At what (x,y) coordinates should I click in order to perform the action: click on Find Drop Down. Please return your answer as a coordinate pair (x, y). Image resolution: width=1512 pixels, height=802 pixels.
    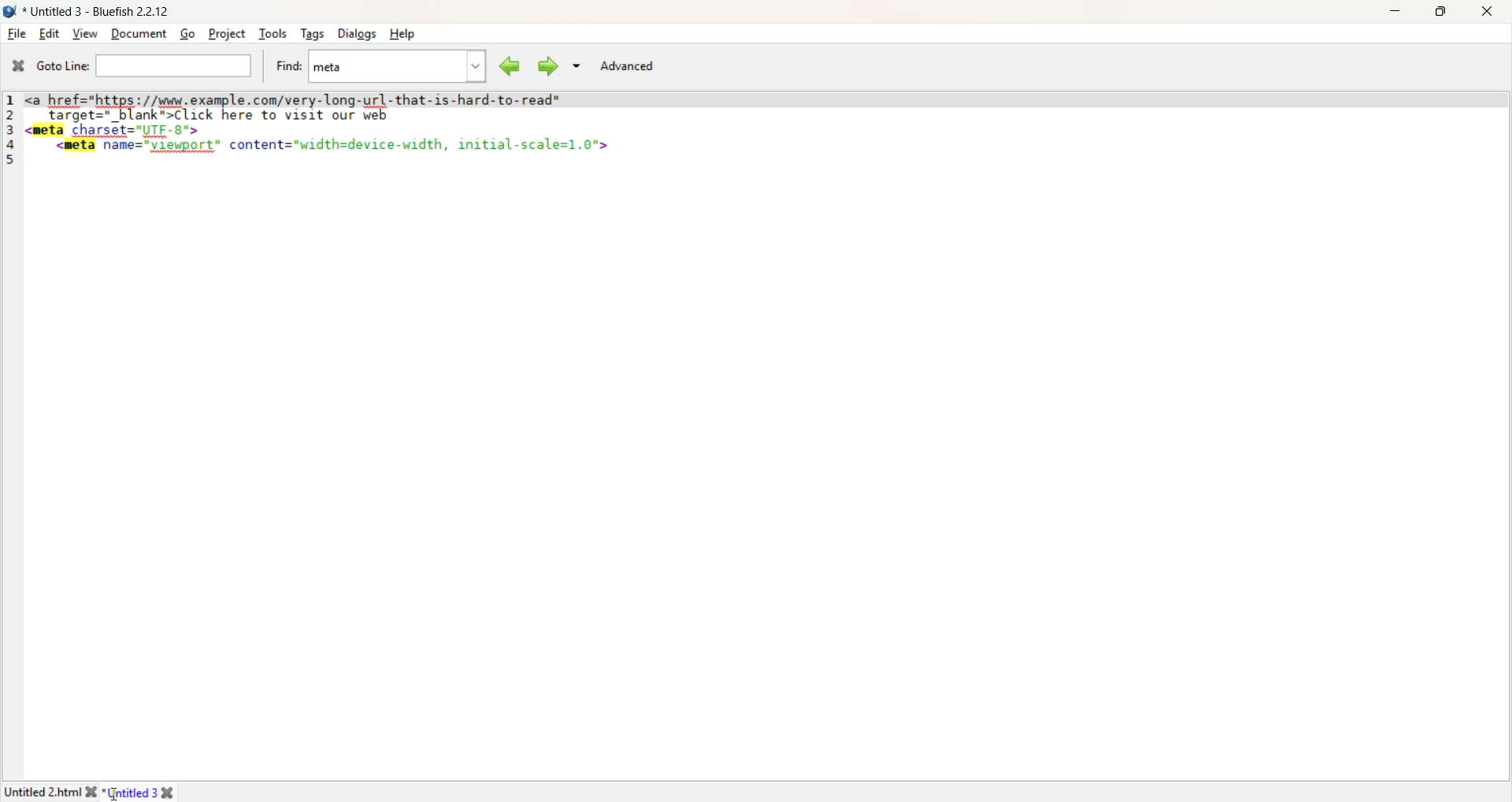
    Looking at the image, I should click on (472, 67).